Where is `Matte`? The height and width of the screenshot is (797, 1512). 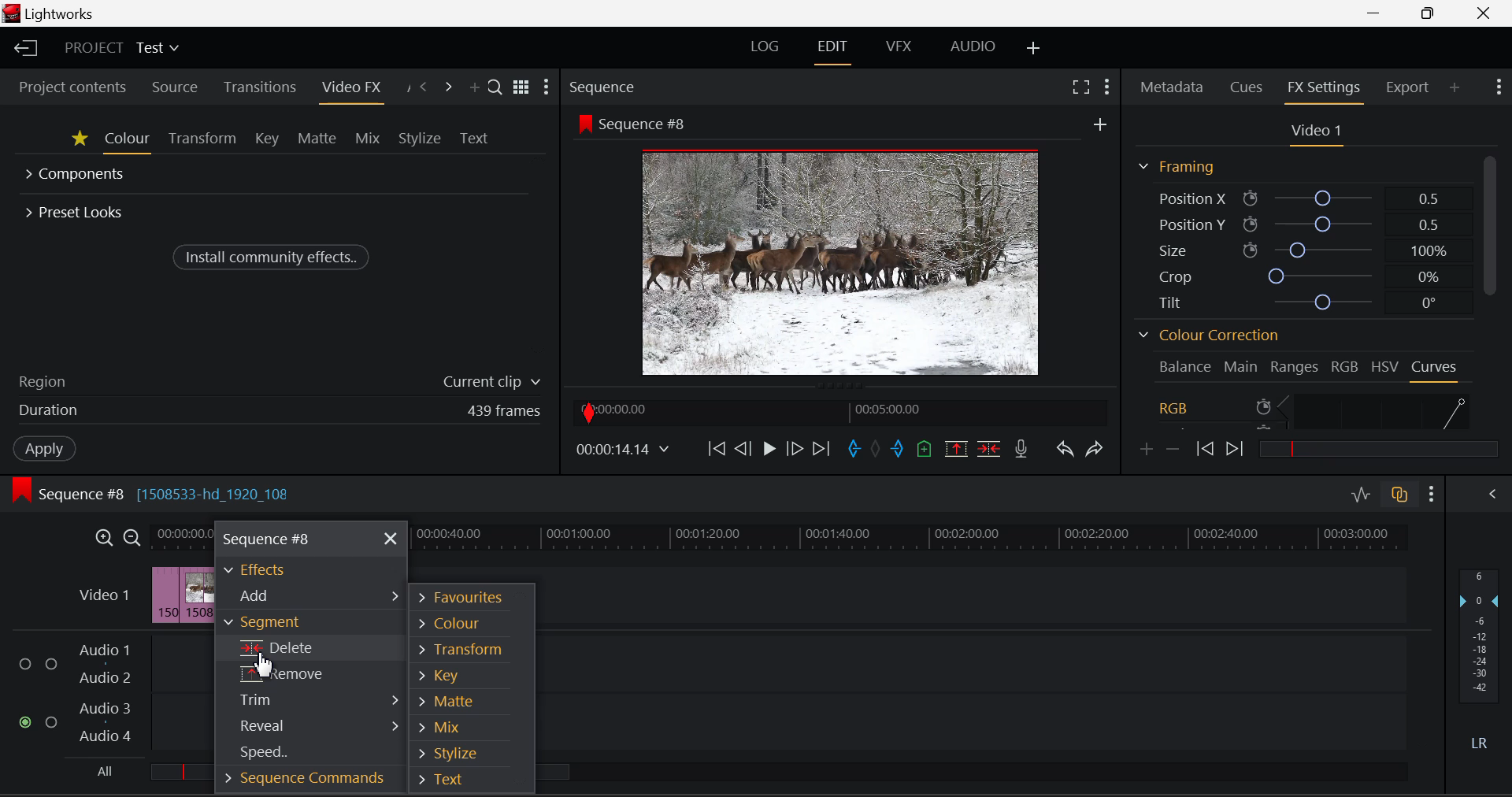 Matte is located at coordinates (317, 140).